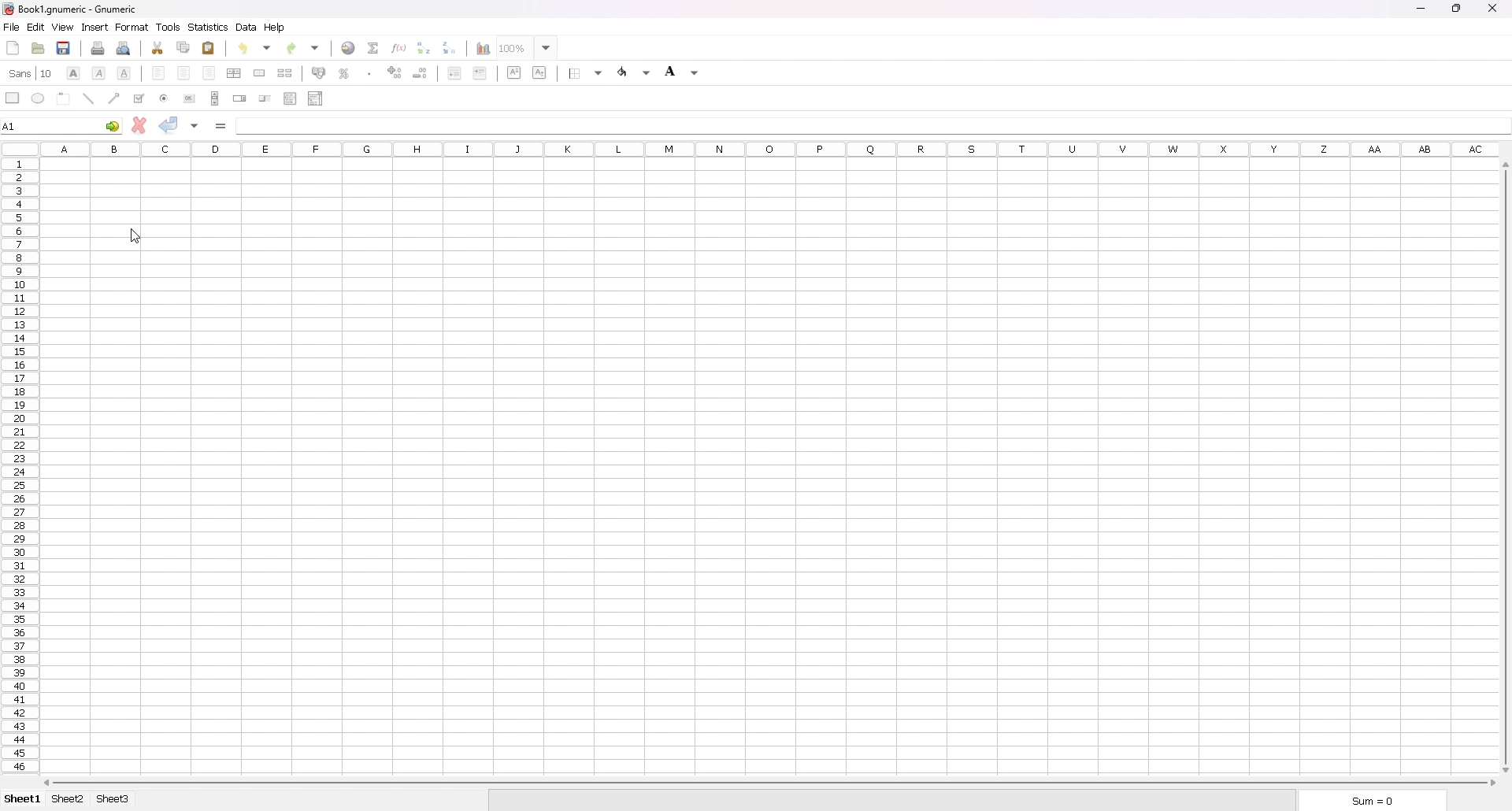 The width and height of the screenshot is (1512, 811). Describe the element at coordinates (183, 48) in the screenshot. I see `copy` at that location.